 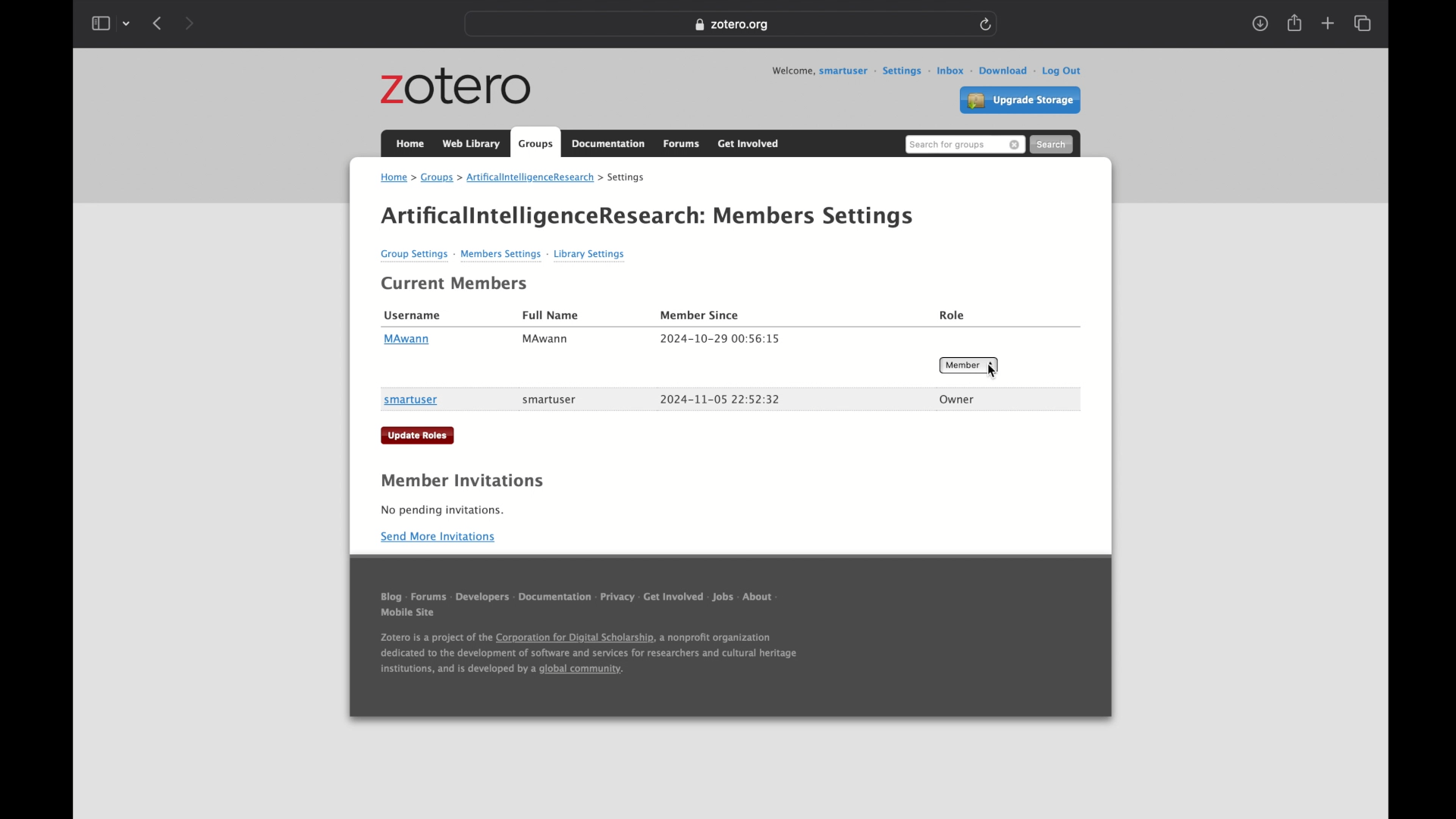 I want to click on web address, so click(x=730, y=25).